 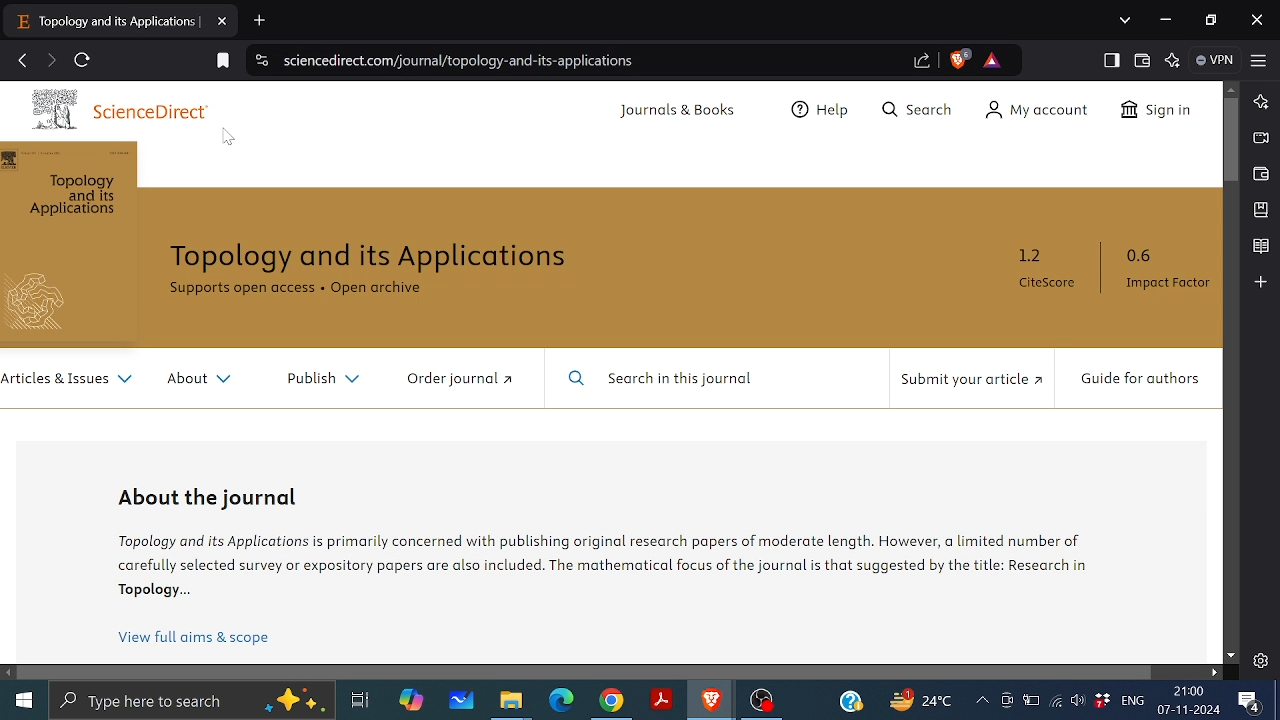 I want to click on Go forwards, so click(x=50, y=59).